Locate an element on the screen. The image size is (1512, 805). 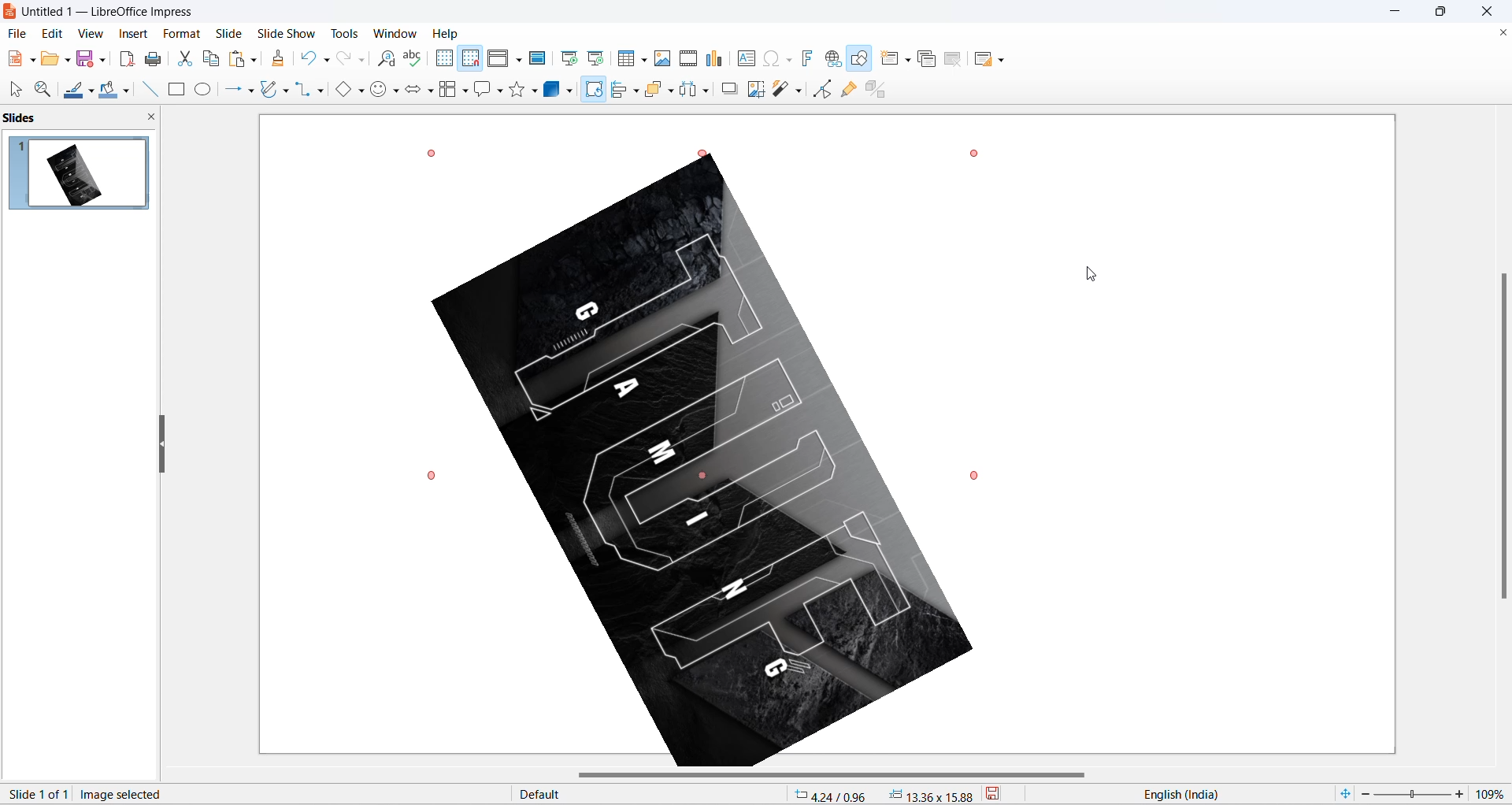
curve and polygons is located at coordinates (286, 92).